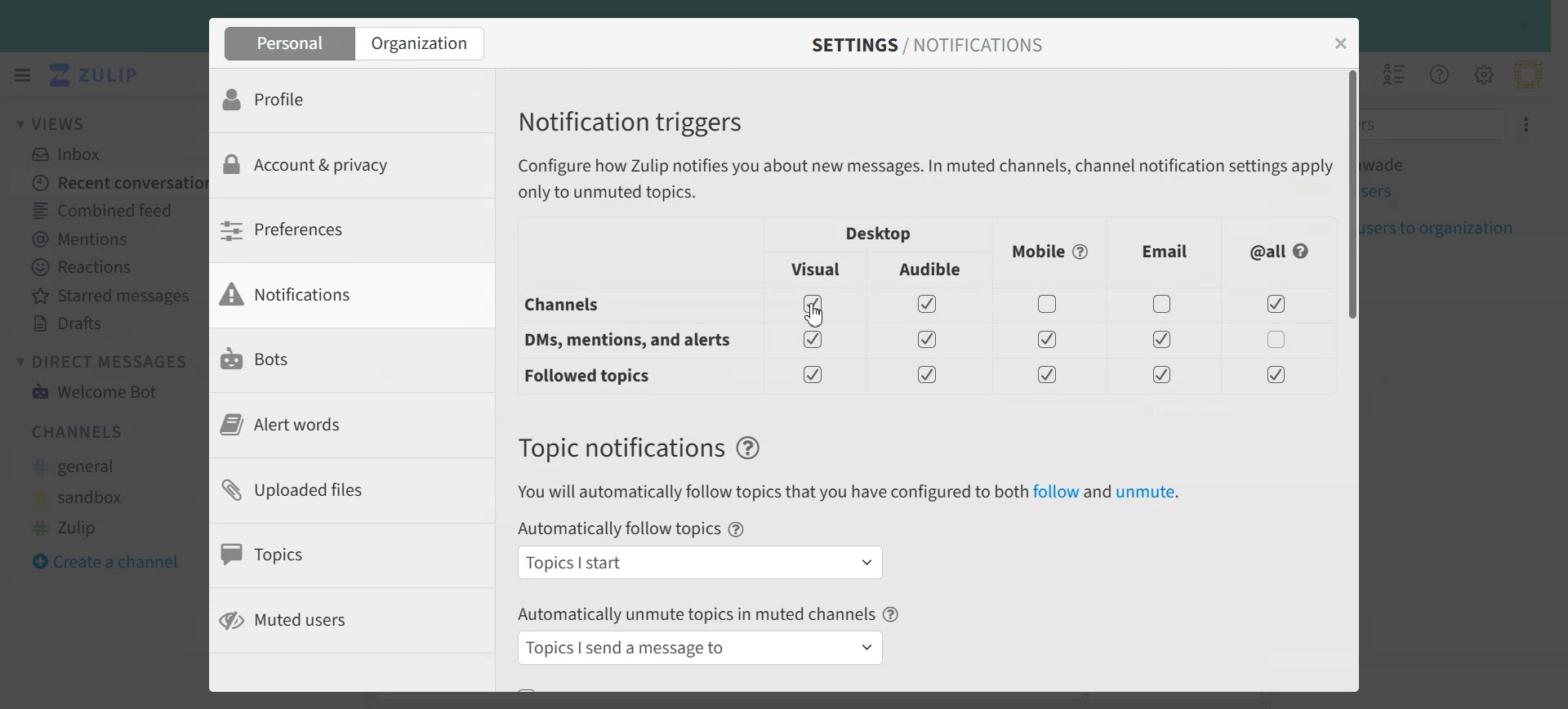 Image resolution: width=1568 pixels, height=709 pixels. What do you see at coordinates (82, 467) in the screenshot?
I see `#general` at bounding box center [82, 467].